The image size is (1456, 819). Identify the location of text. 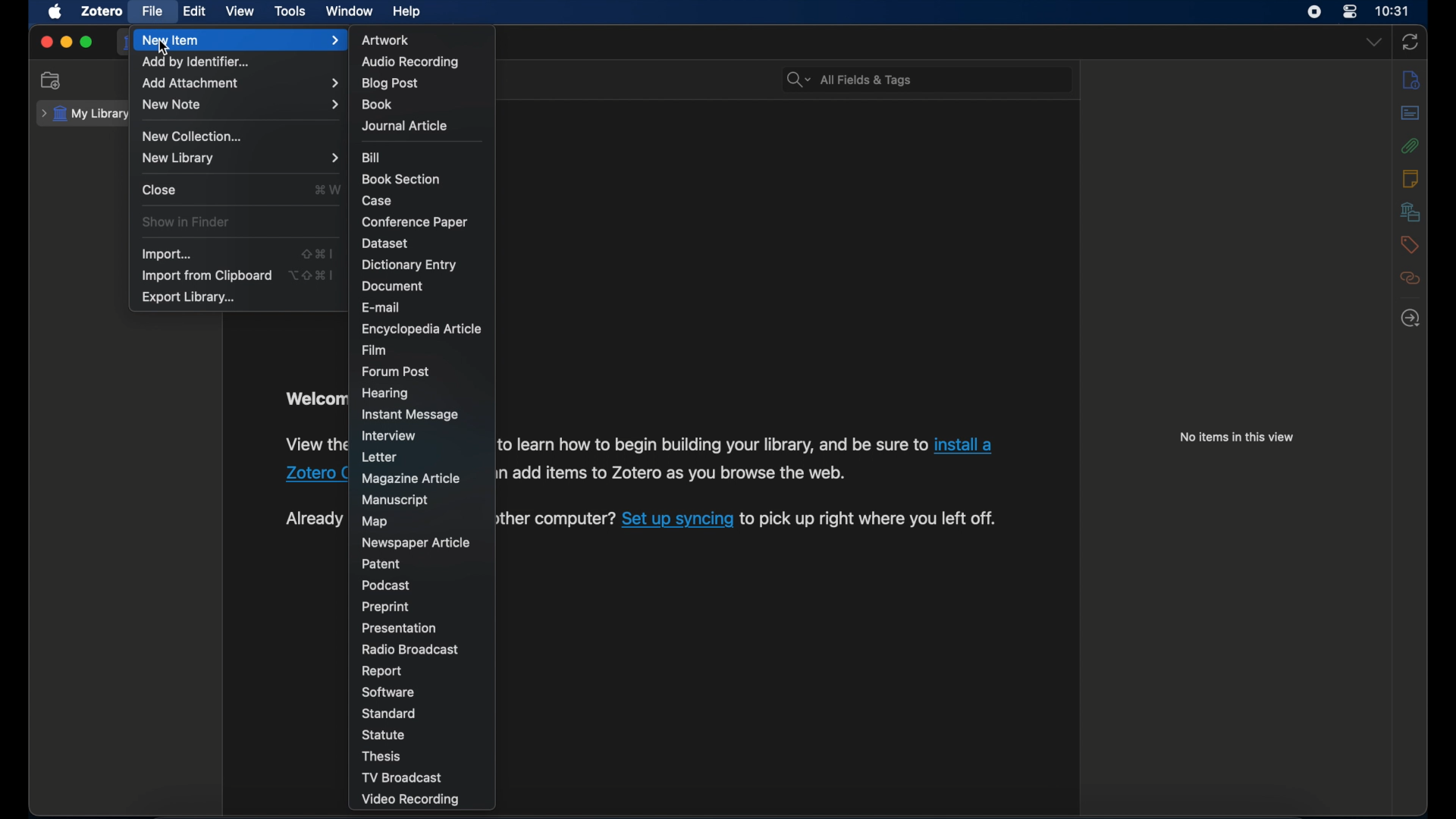
(551, 519).